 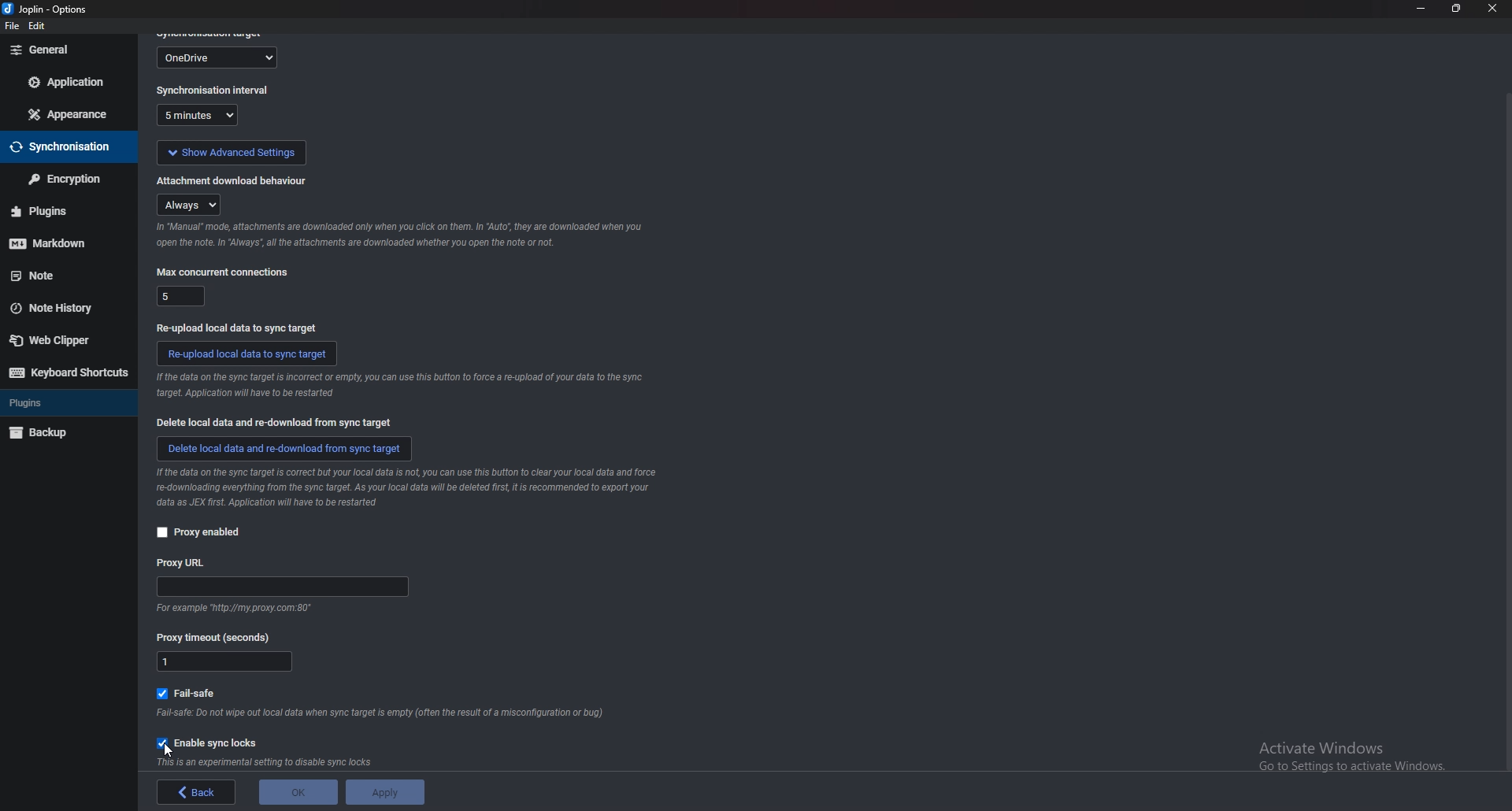 I want to click on application, so click(x=69, y=83).